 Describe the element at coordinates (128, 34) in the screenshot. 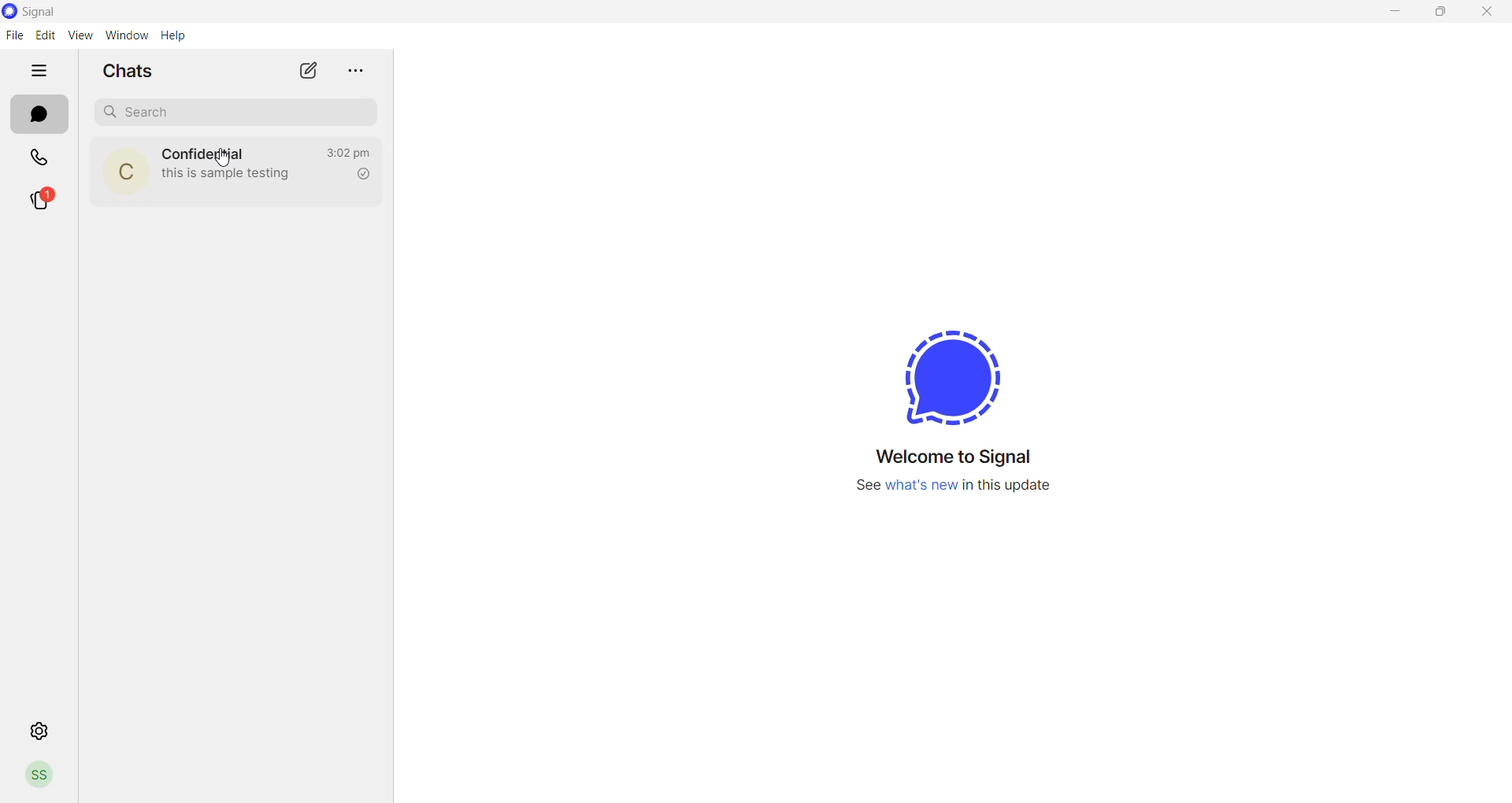

I see `window` at that location.